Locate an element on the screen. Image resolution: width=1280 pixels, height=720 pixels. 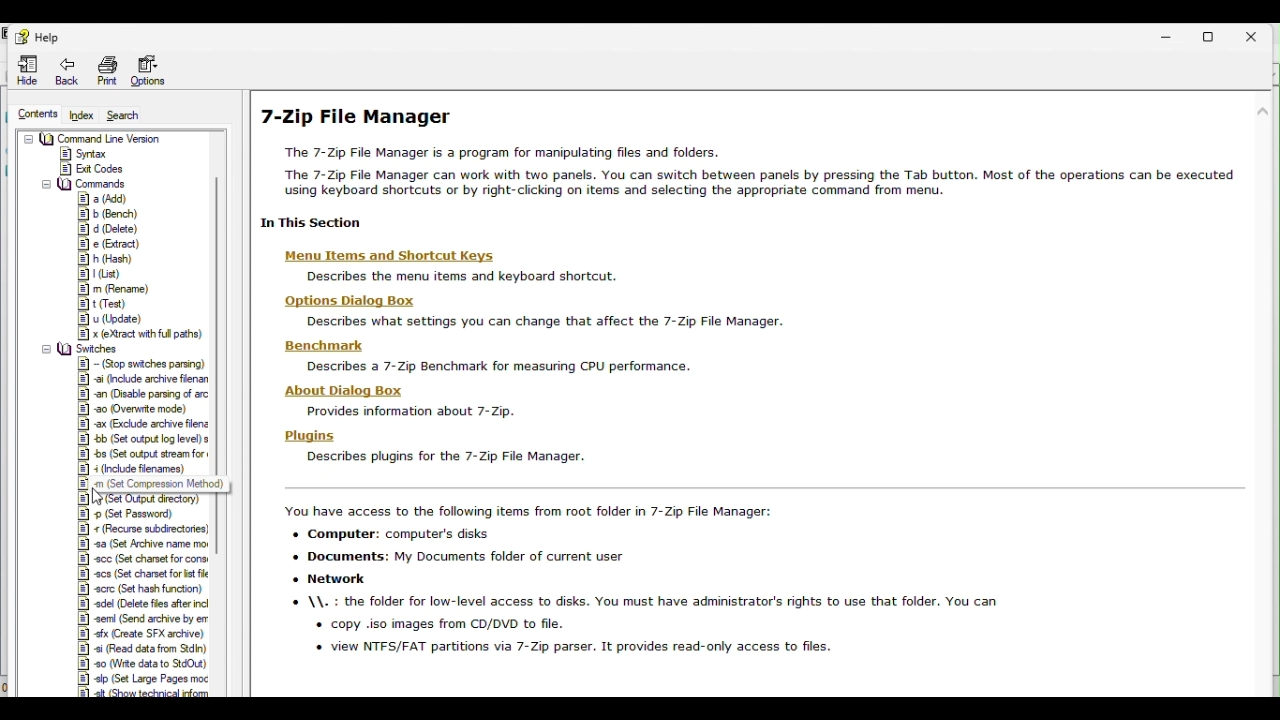
include filenames is located at coordinates (143, 469).